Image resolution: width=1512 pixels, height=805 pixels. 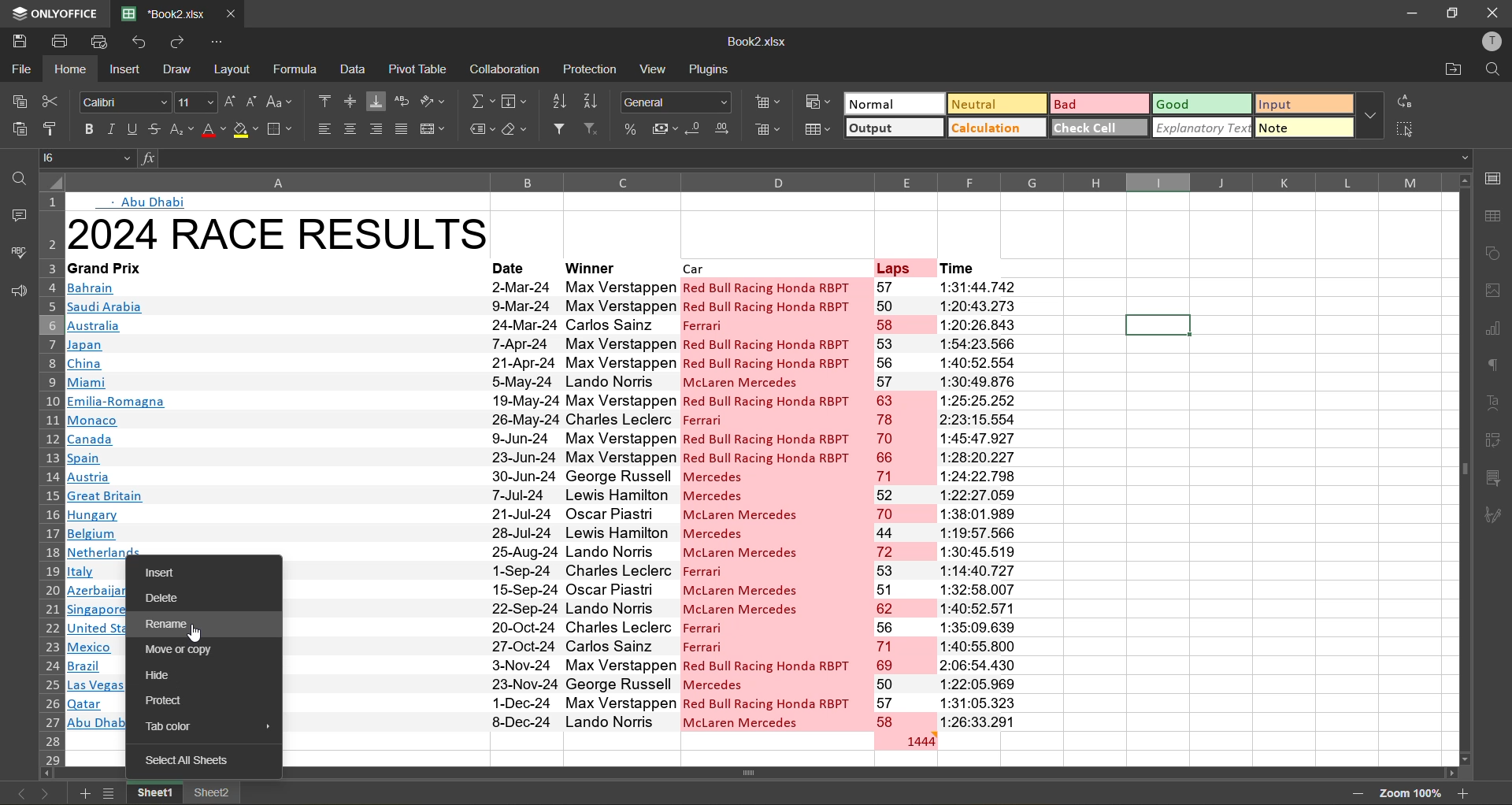 I want to click on charts, so click(x=1497, y=332).